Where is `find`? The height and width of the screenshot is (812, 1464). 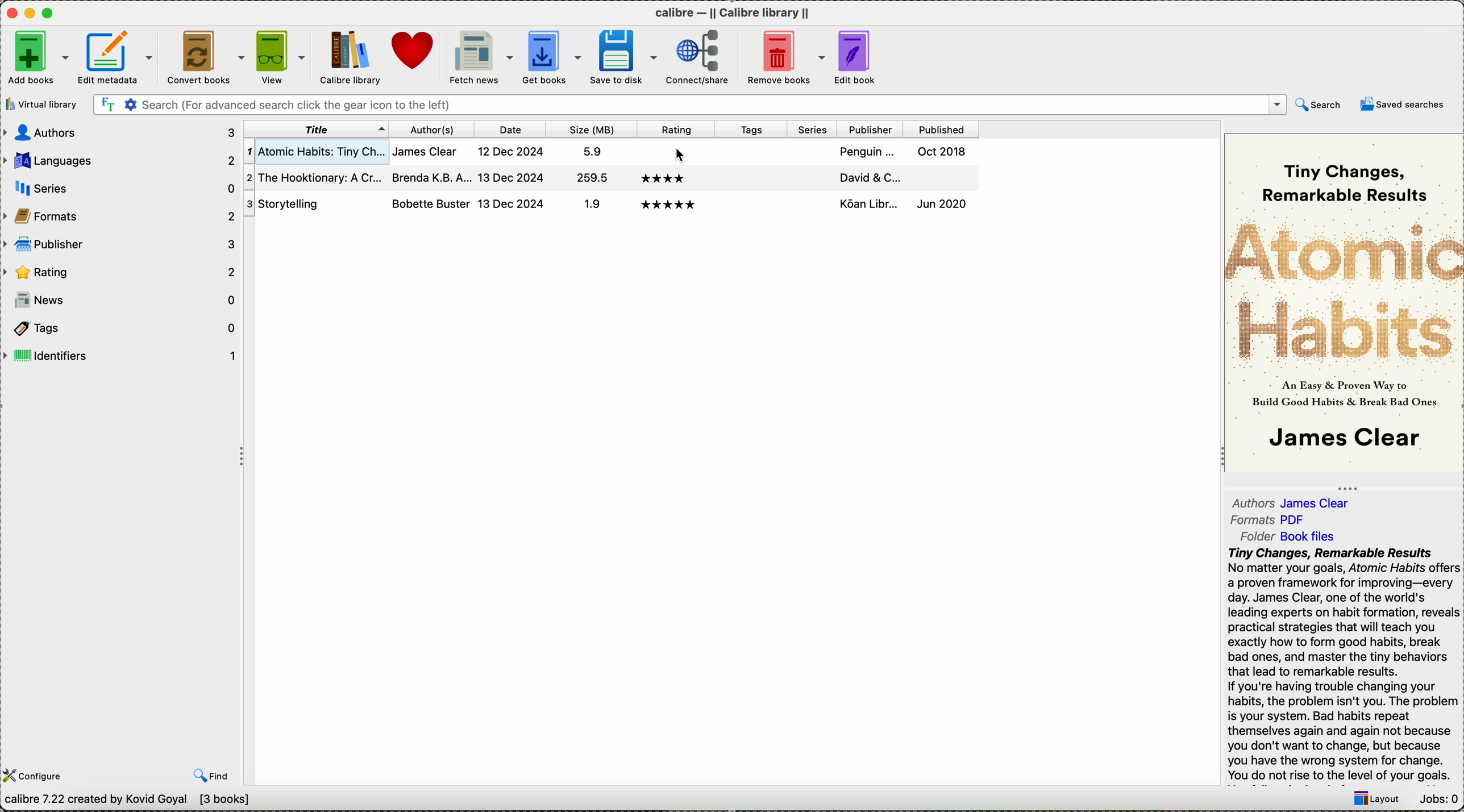 find is located at coordinates (210, 776).